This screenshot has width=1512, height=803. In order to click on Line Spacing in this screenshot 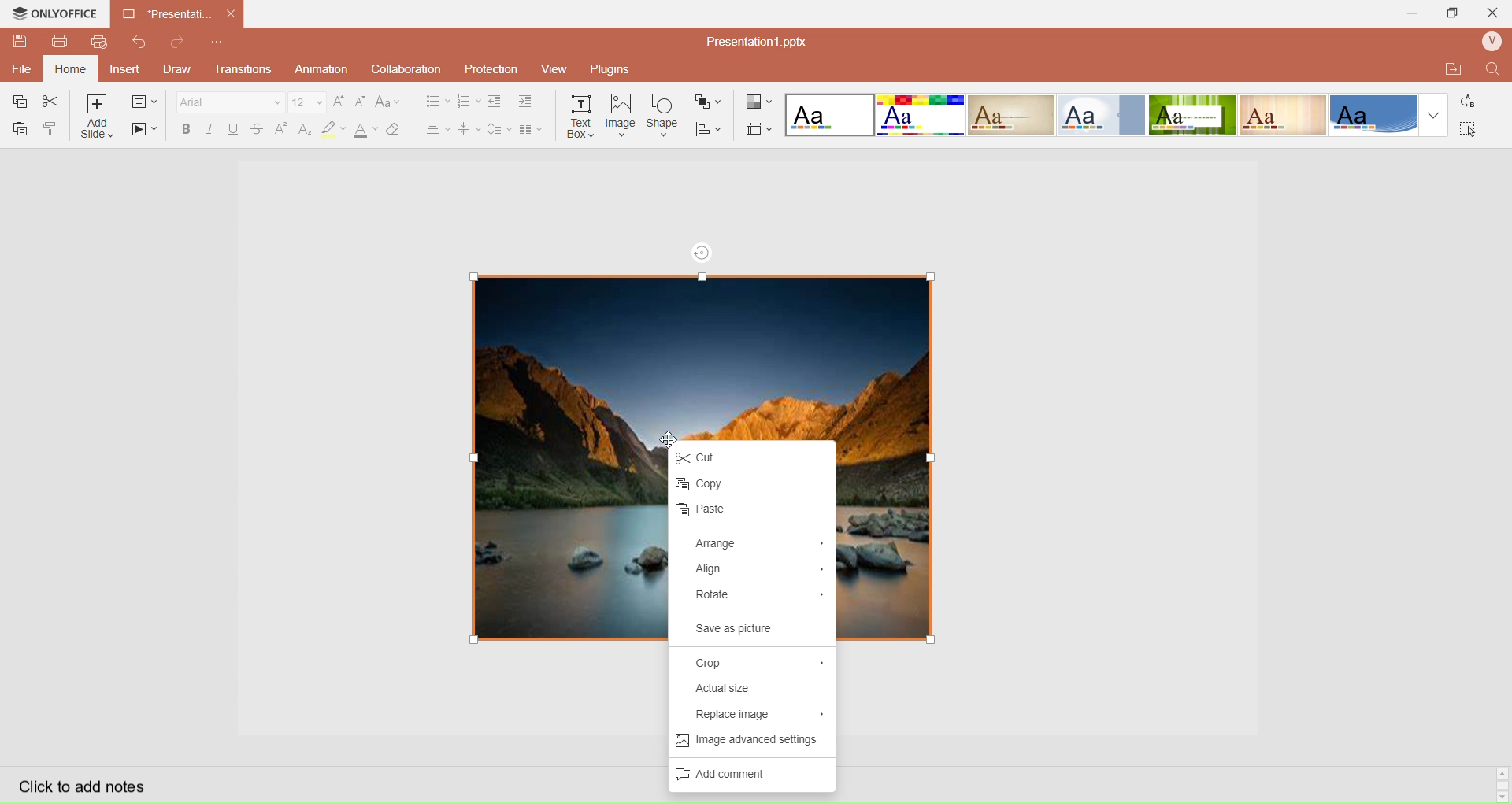, I will do `click(502, 129)`.